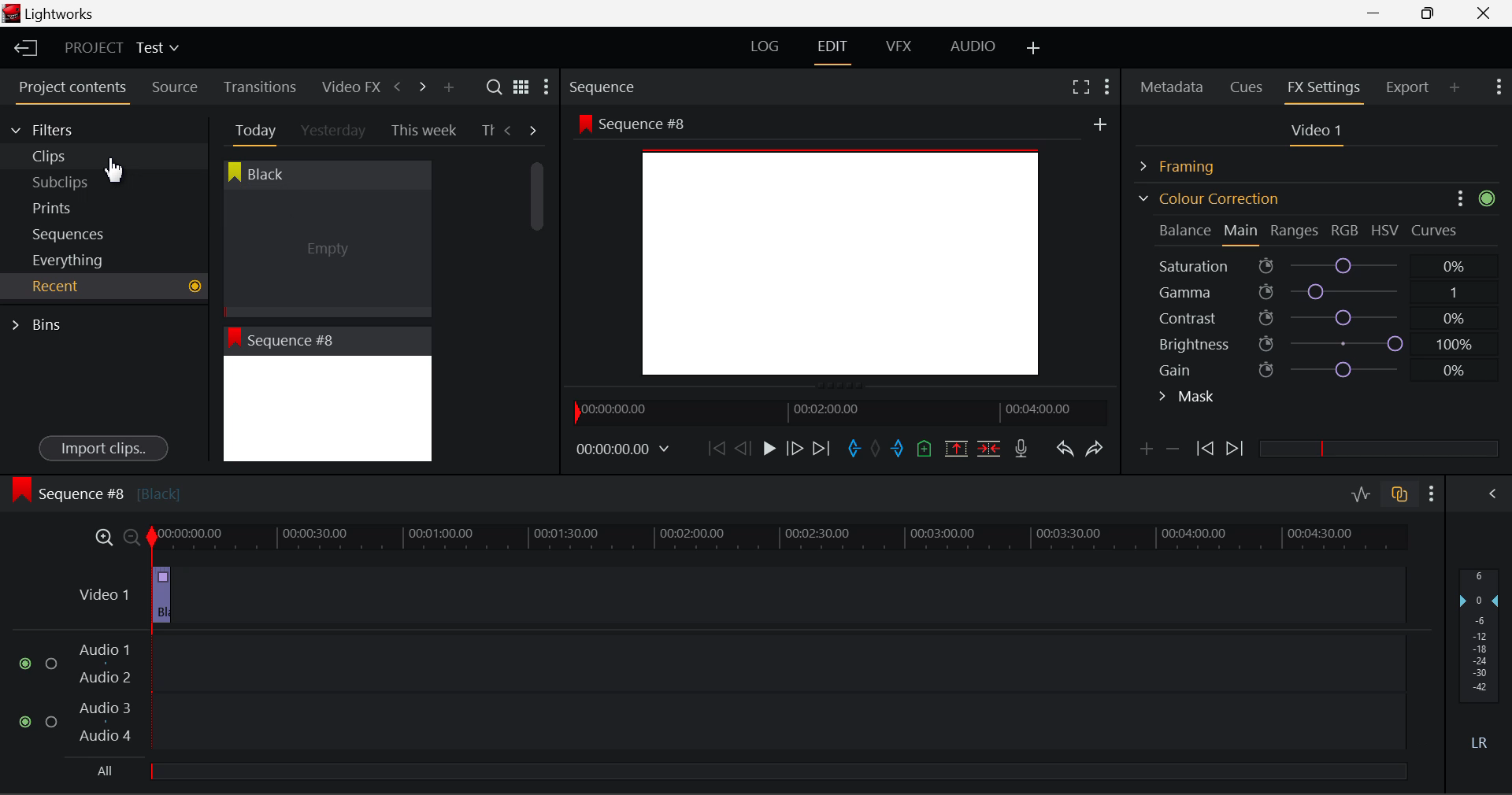 Image resolution: width=1512 pixels, height=795 pixels. Describe the element at coordinates (1319, 134) in the screenshot. I see `Video 1 Settings` at that location.